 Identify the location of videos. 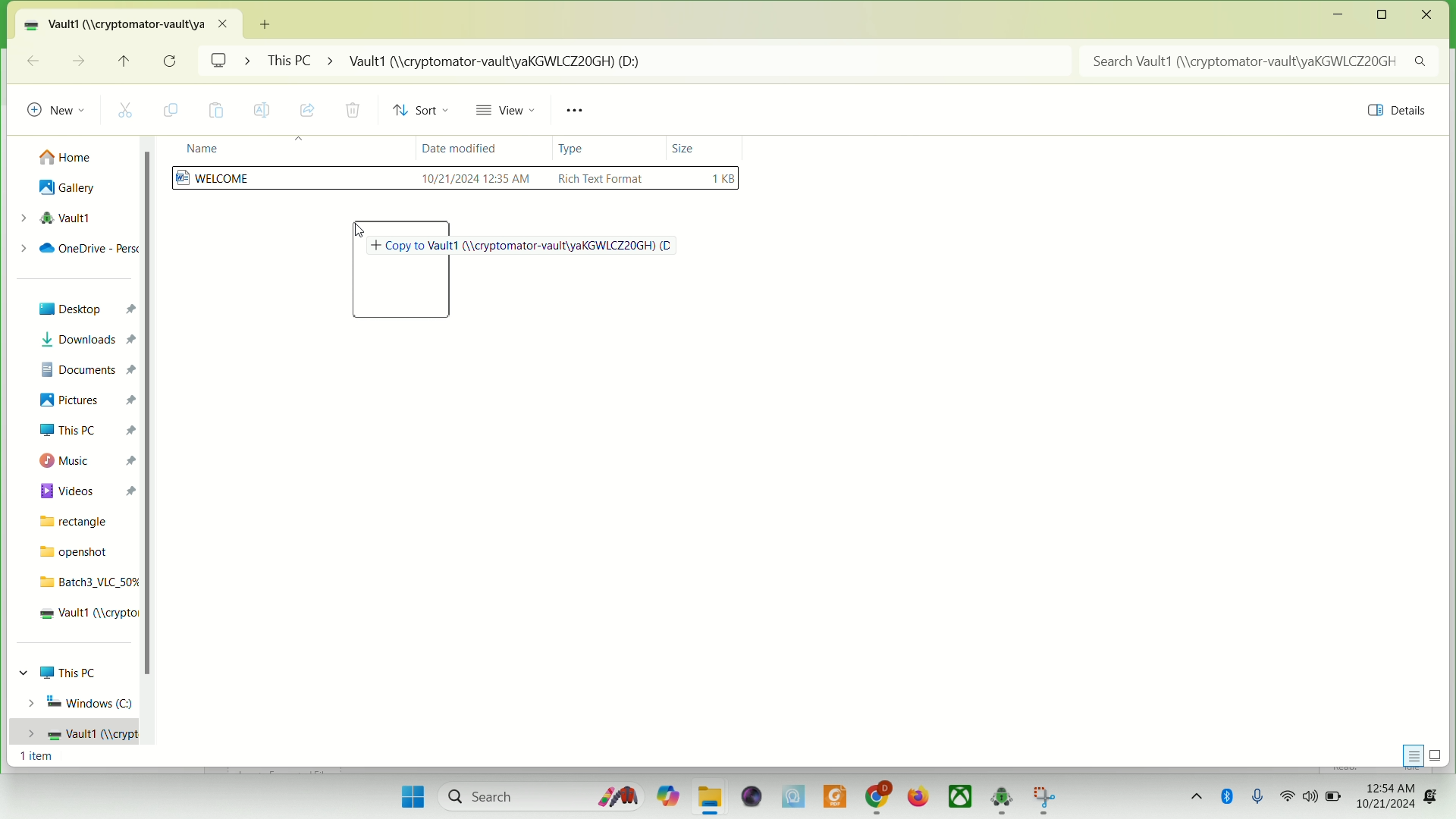
(85, 490).